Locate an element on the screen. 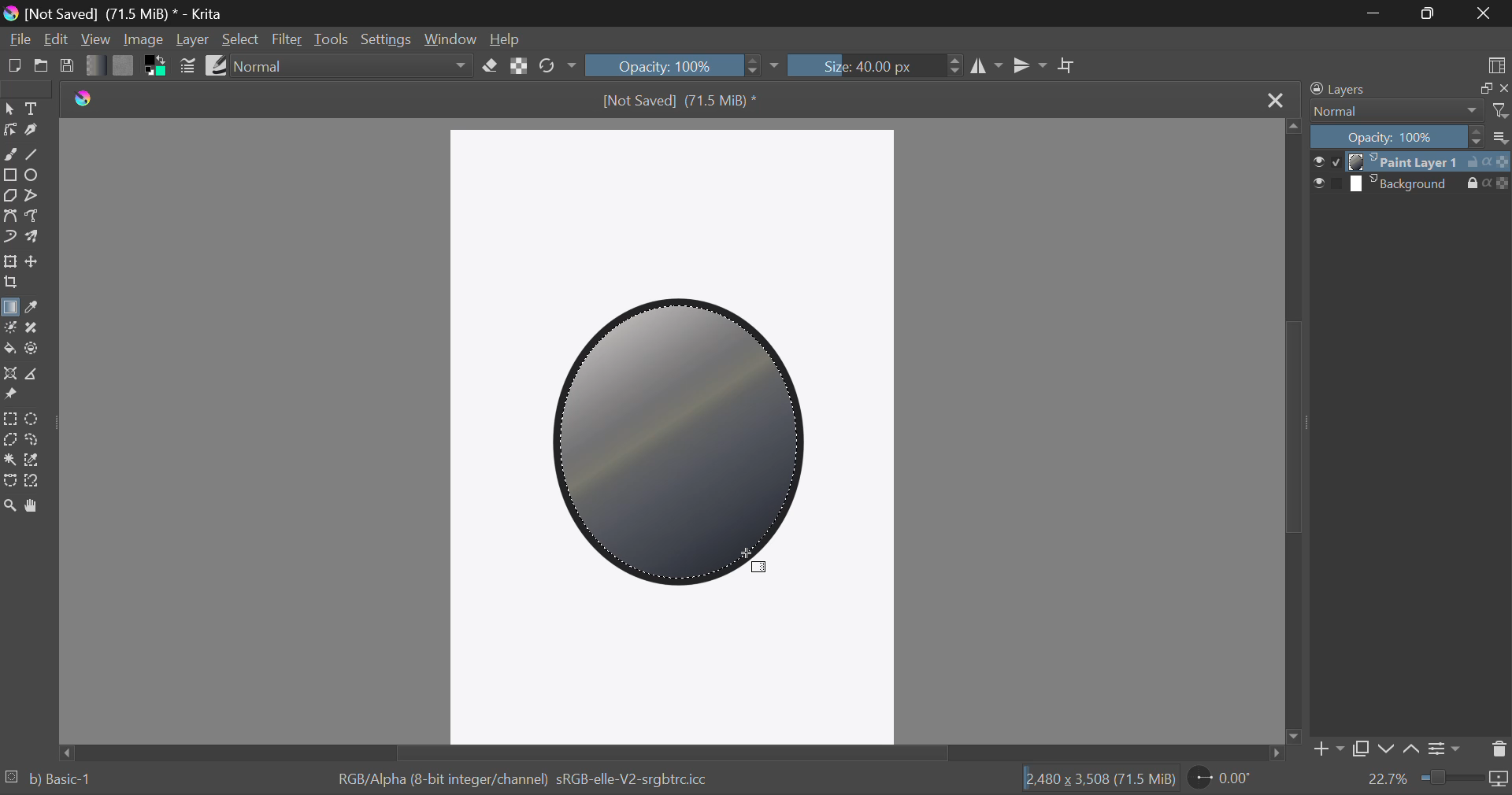 This screenshot has height=795, width=1512. Zoom is located at coordinates (11, 507).